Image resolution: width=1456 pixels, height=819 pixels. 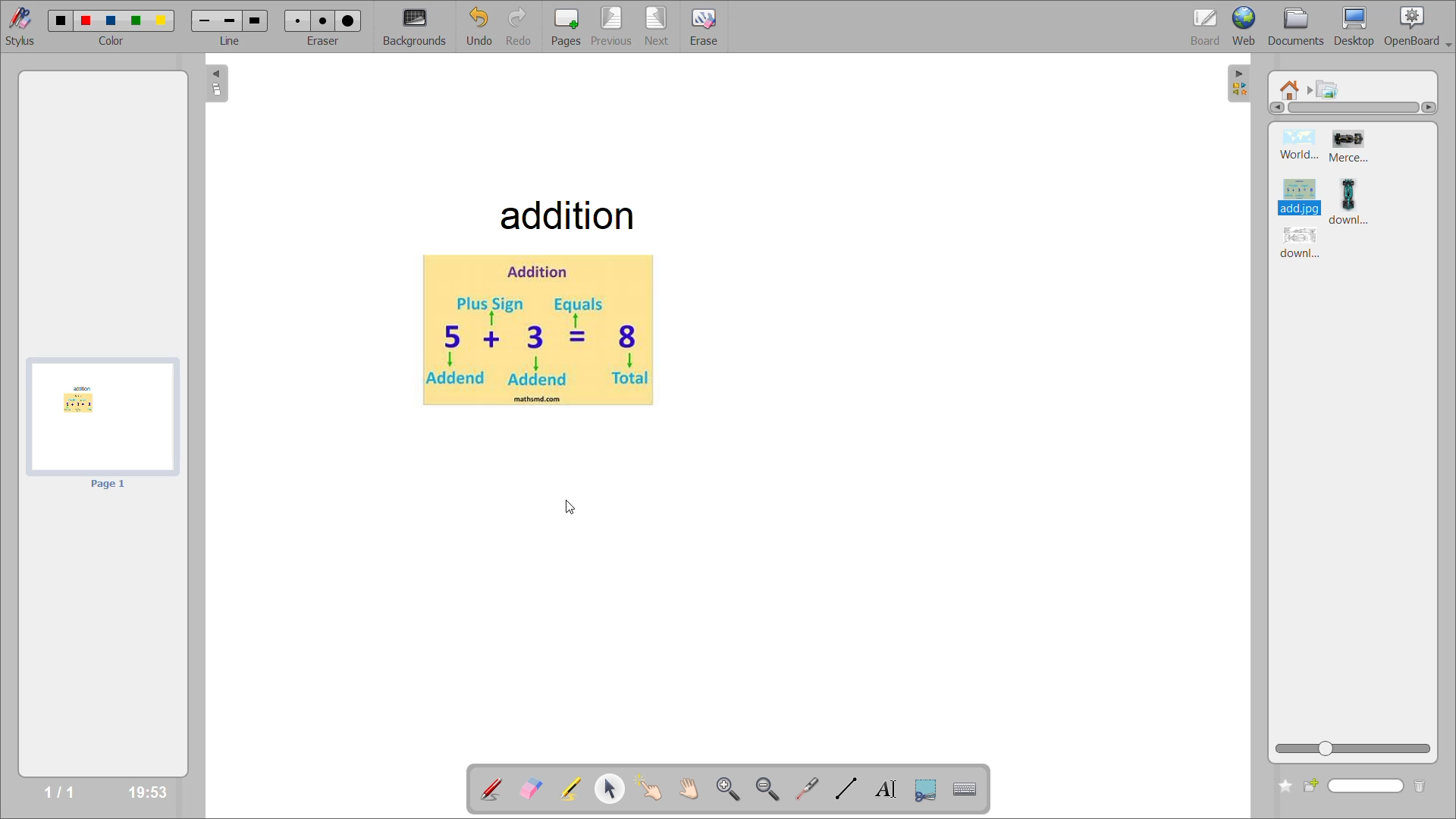 I want to click on web, so click(x=1247, y=24).